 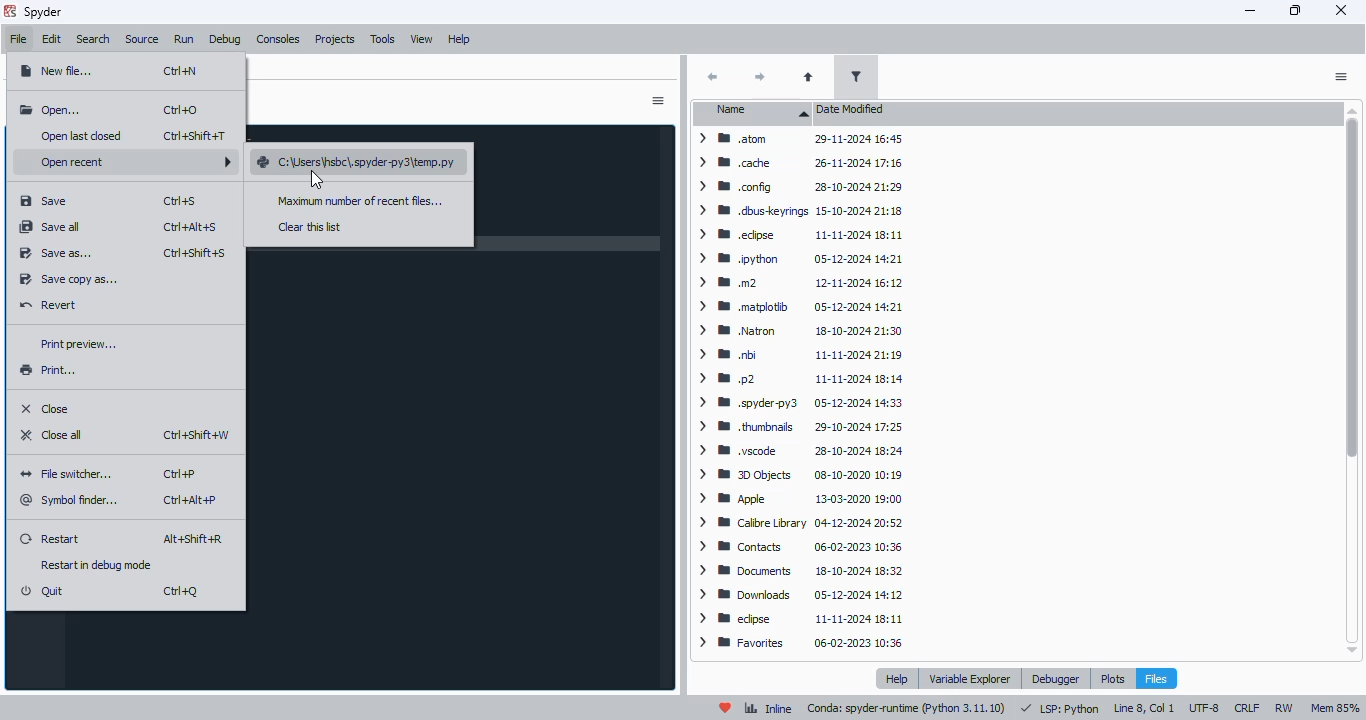 I want to click on revert, so click(x=49, y=304).